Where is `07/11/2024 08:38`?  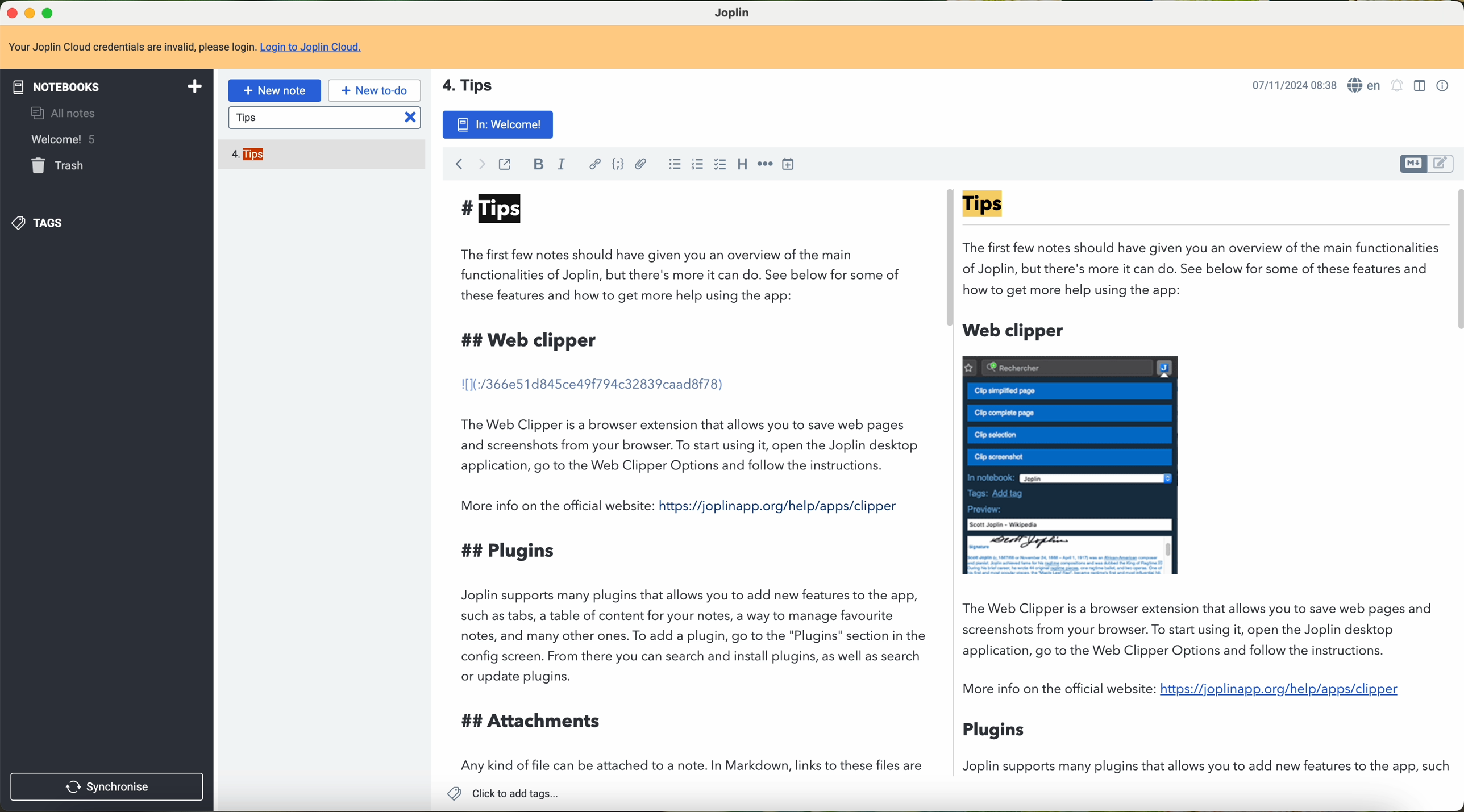
07/11/2024 08:38 is located at coordinates (1294, 85).